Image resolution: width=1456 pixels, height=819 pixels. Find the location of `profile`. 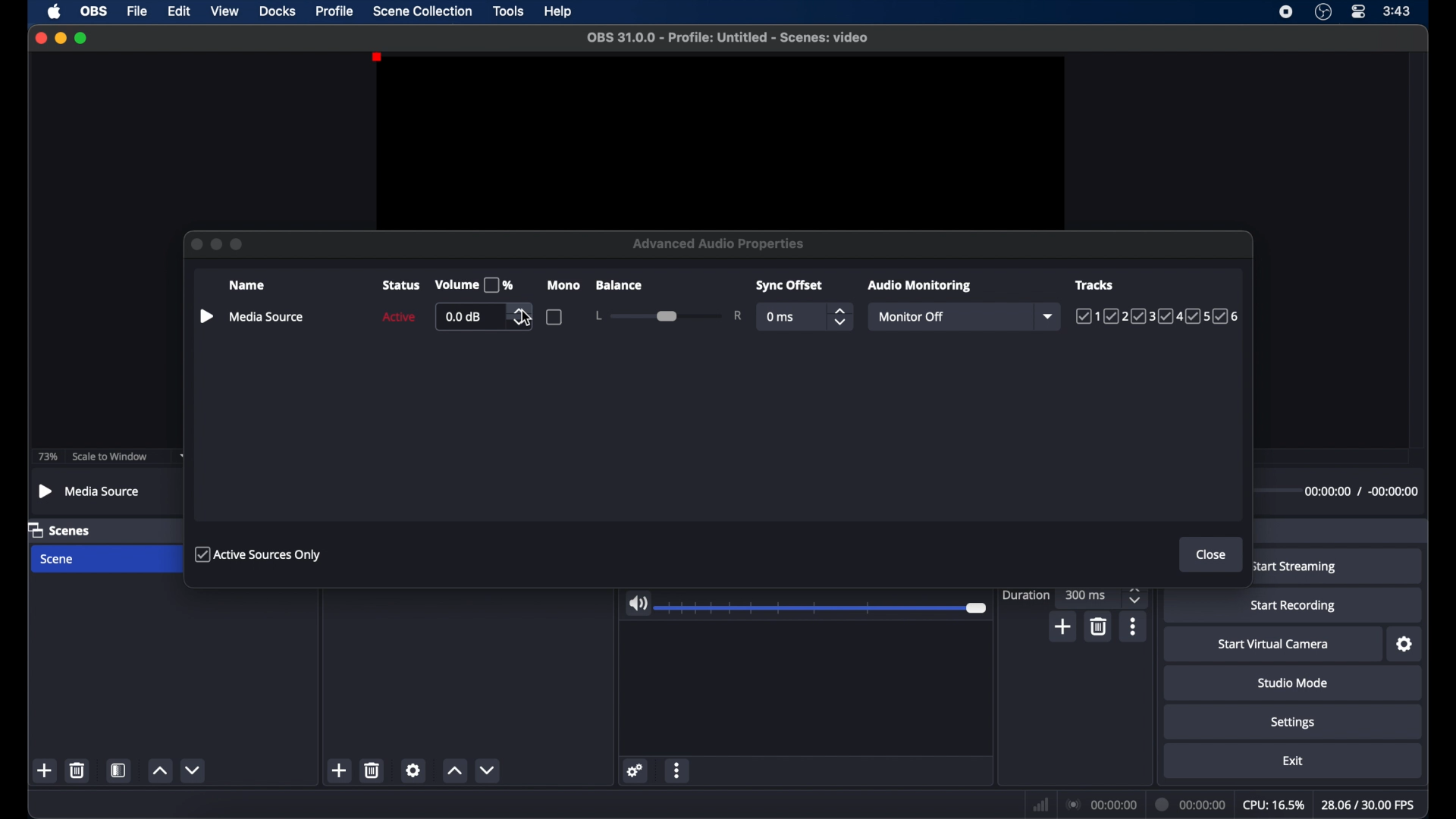

profile is located at coordinates (335, 12).